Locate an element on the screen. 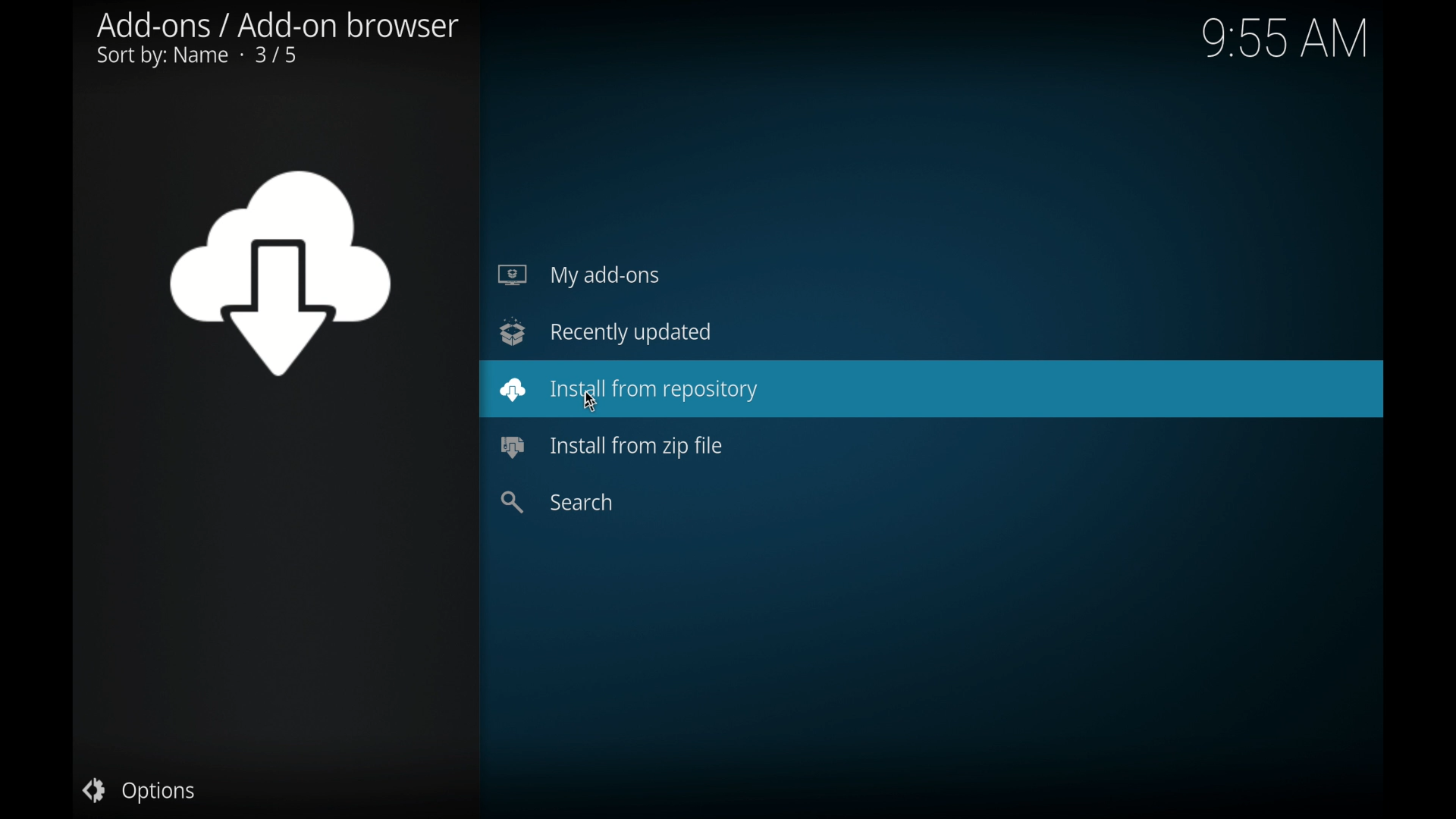 This screenshot has height=819, width=1456. add-ons icon is located at coordinates (278, 274).